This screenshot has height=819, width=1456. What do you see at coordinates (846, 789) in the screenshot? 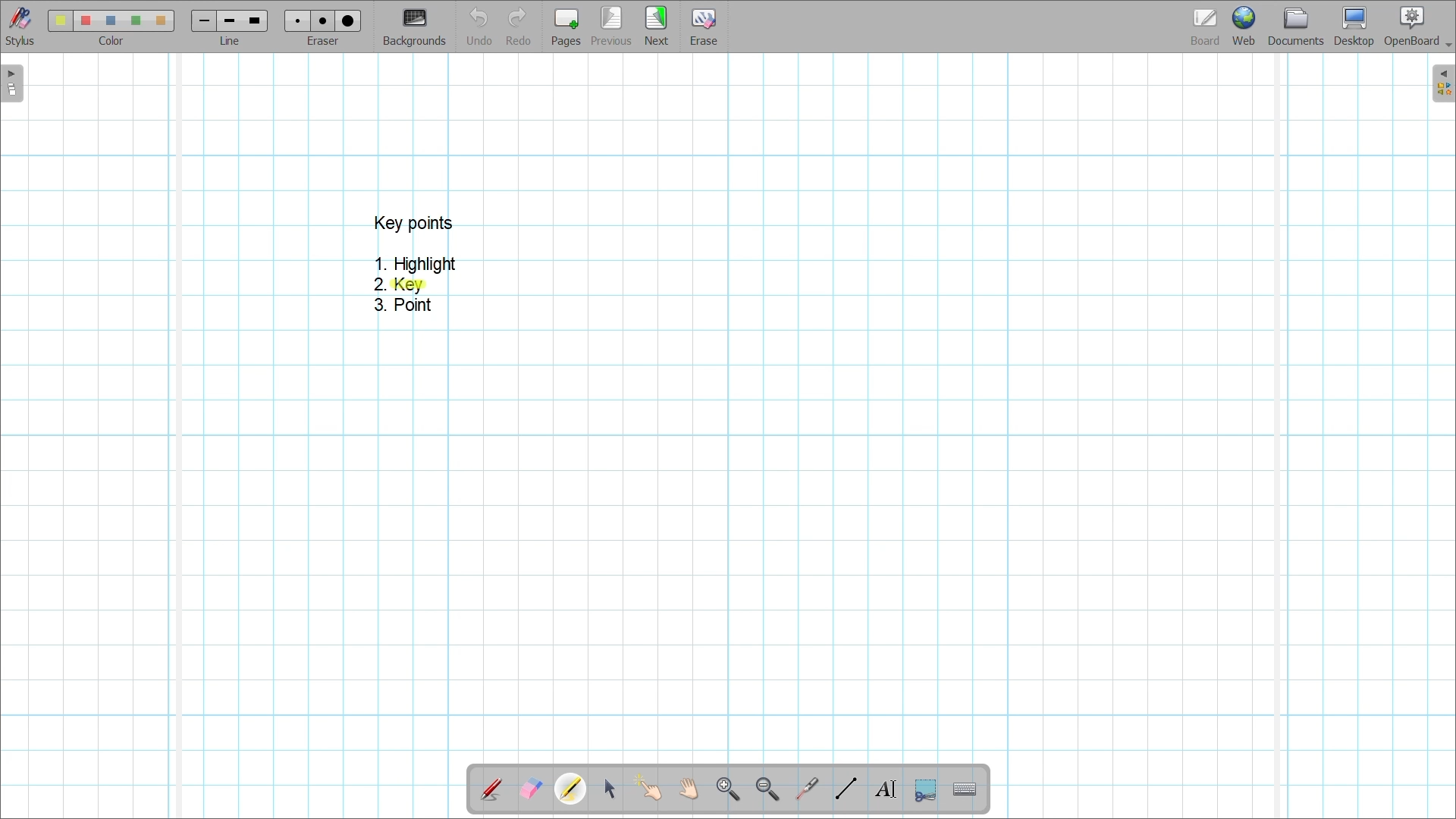
I see `Draw lines` at bounding box center [846, 789].